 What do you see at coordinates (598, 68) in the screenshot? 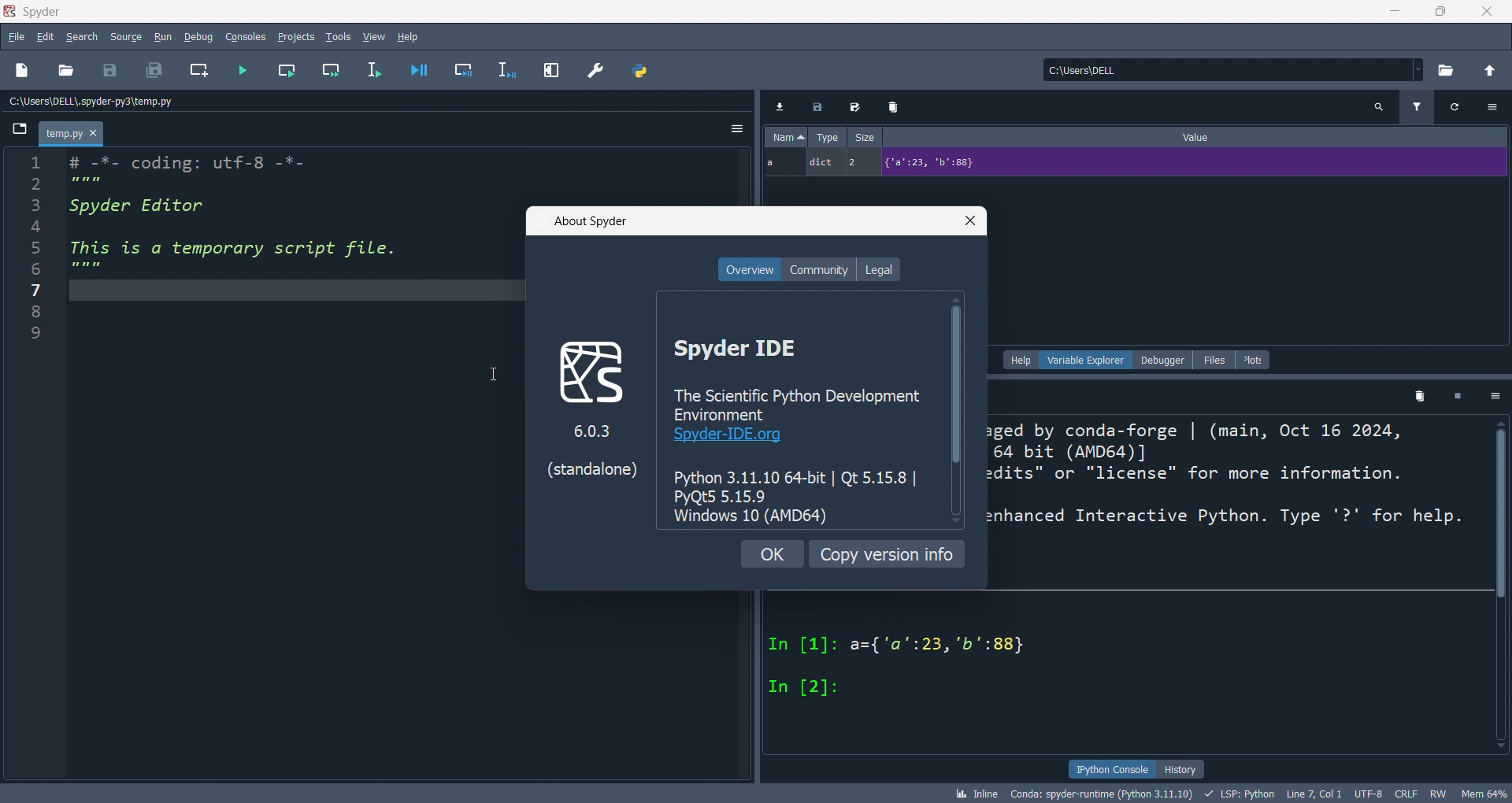
I see `preferences` at bounding box center [598, 68].